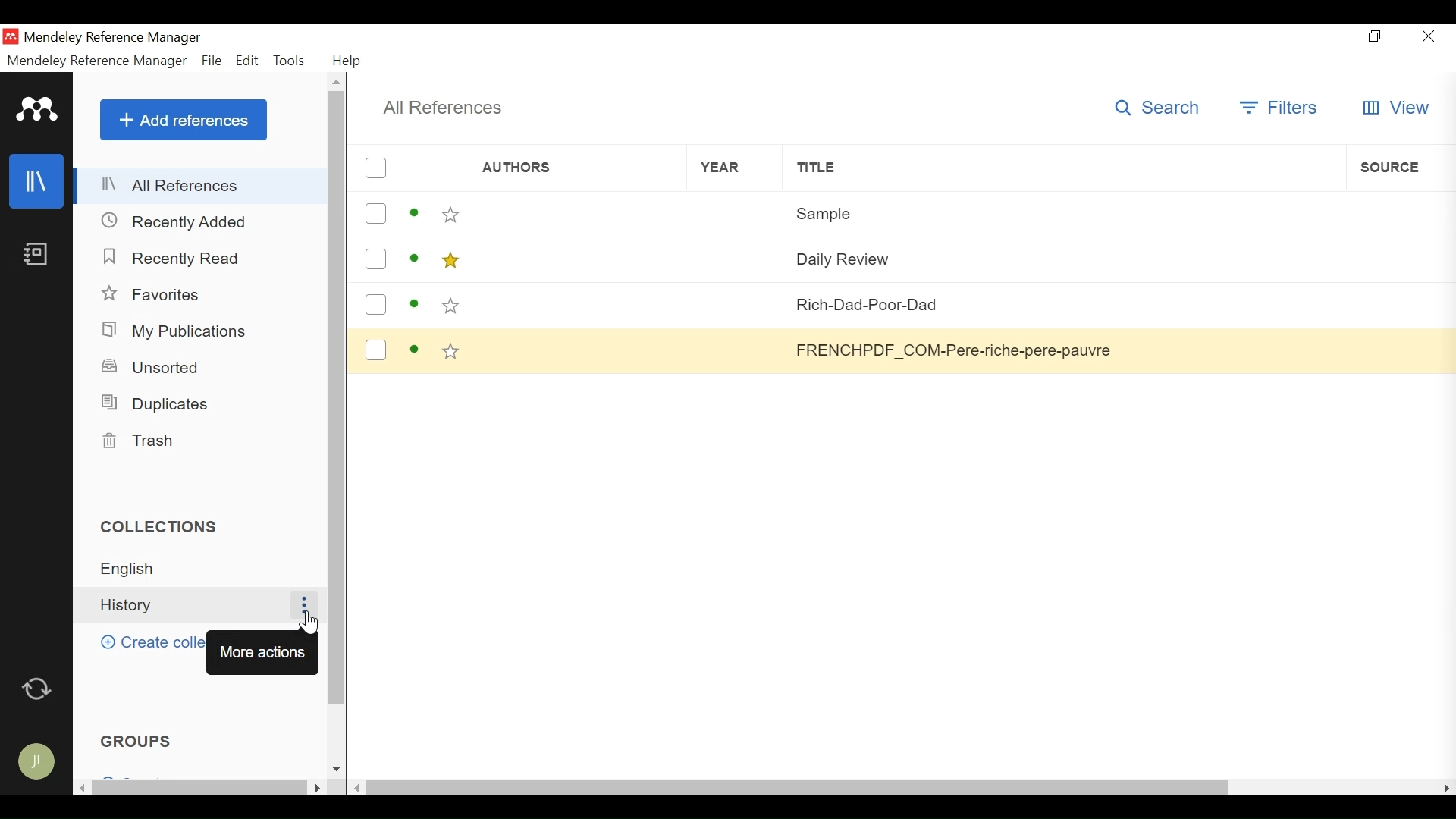 This screenshot has width=1456, height=819. Describe the element at coordinates (149, 642) in the screenshot. I see `Create Collecion` at that location.